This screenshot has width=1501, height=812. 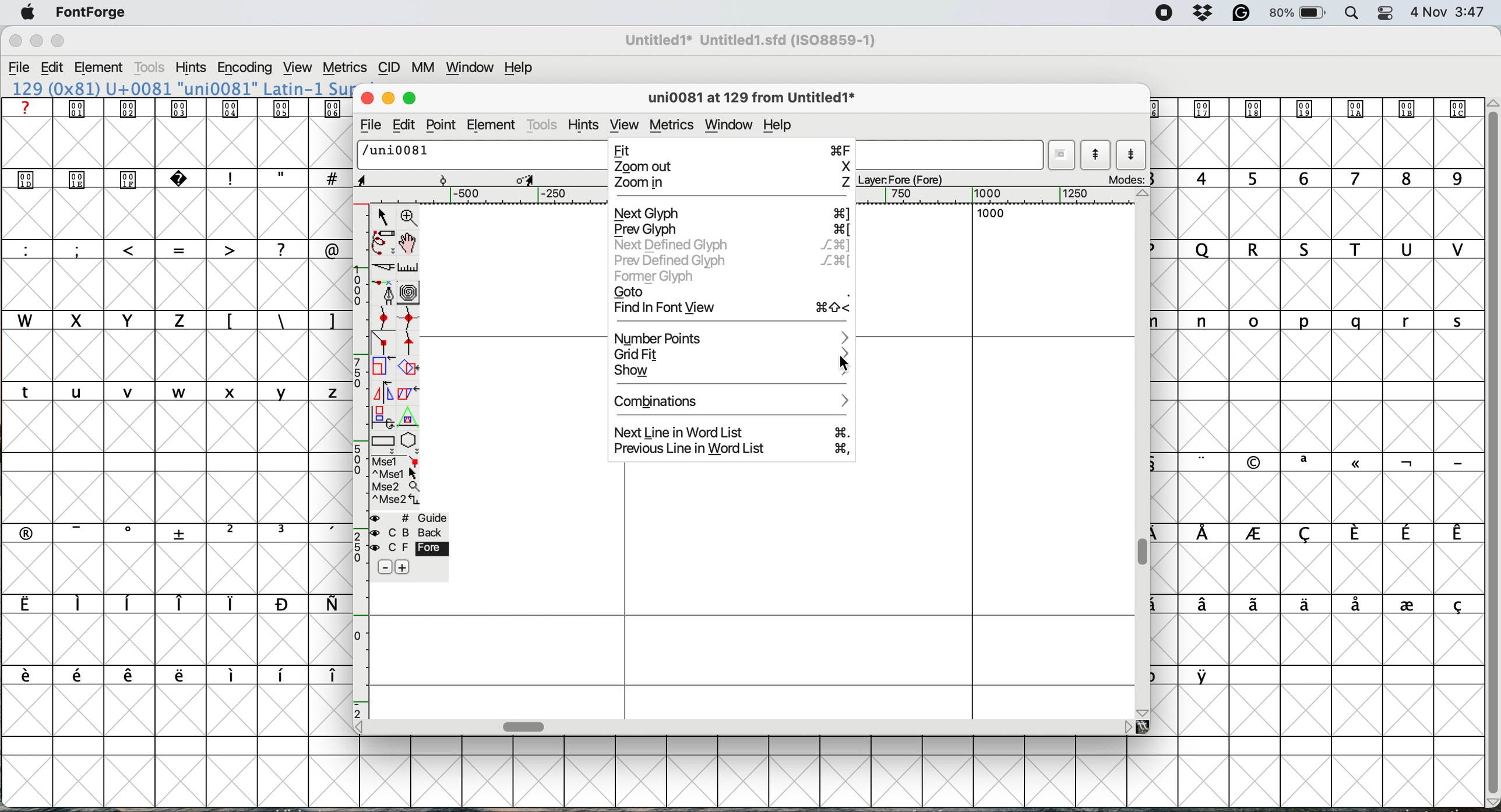 What do you see at coordinates (389, 100) in the screenshot?
I see `minimise` at bounding box center [389, 100].